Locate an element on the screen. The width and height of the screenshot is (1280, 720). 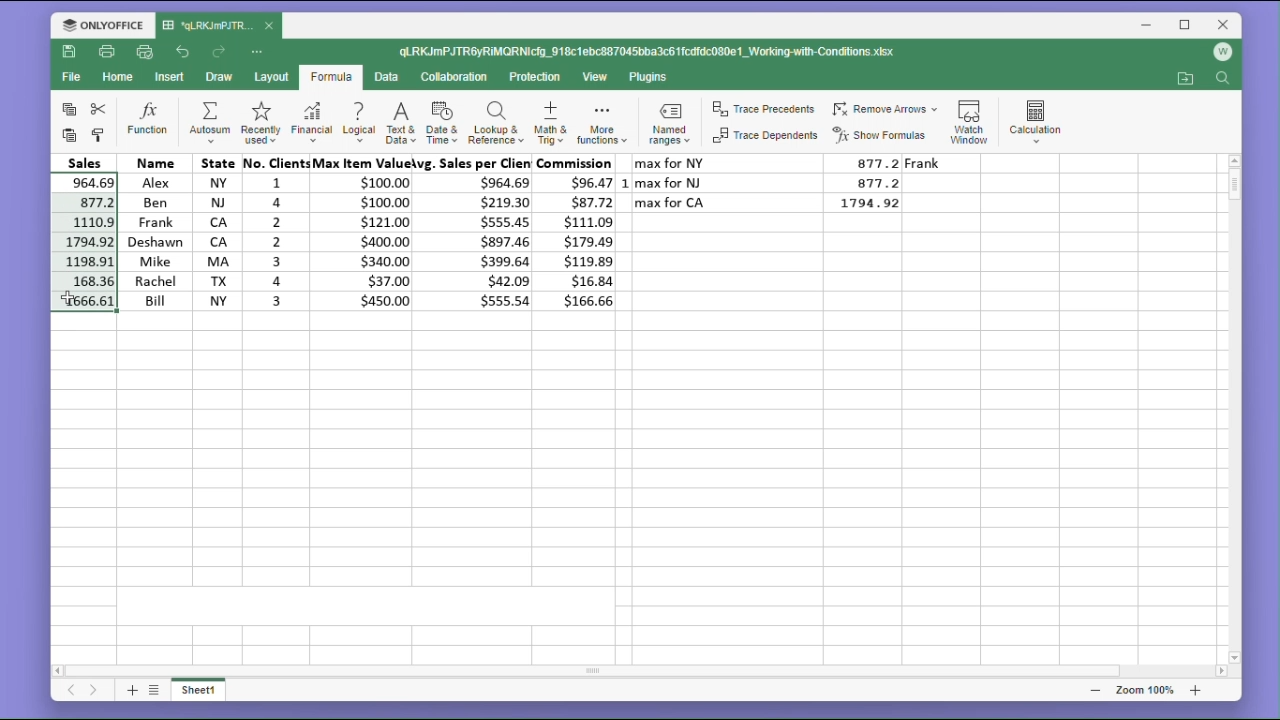
trace predecents is located at coordinates (762, 110).